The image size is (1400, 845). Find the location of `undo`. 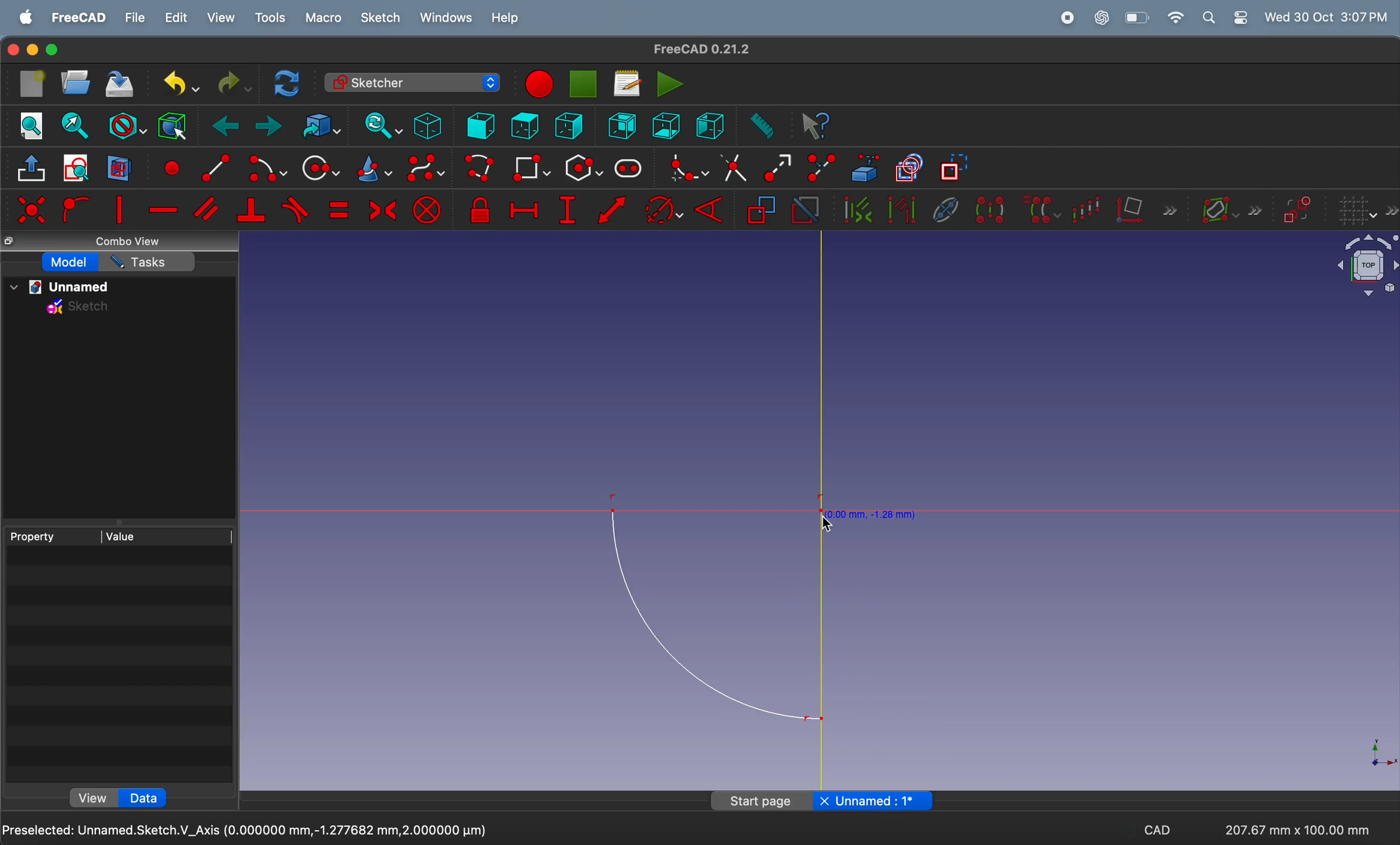

undo is located at coordinates (176, 83).